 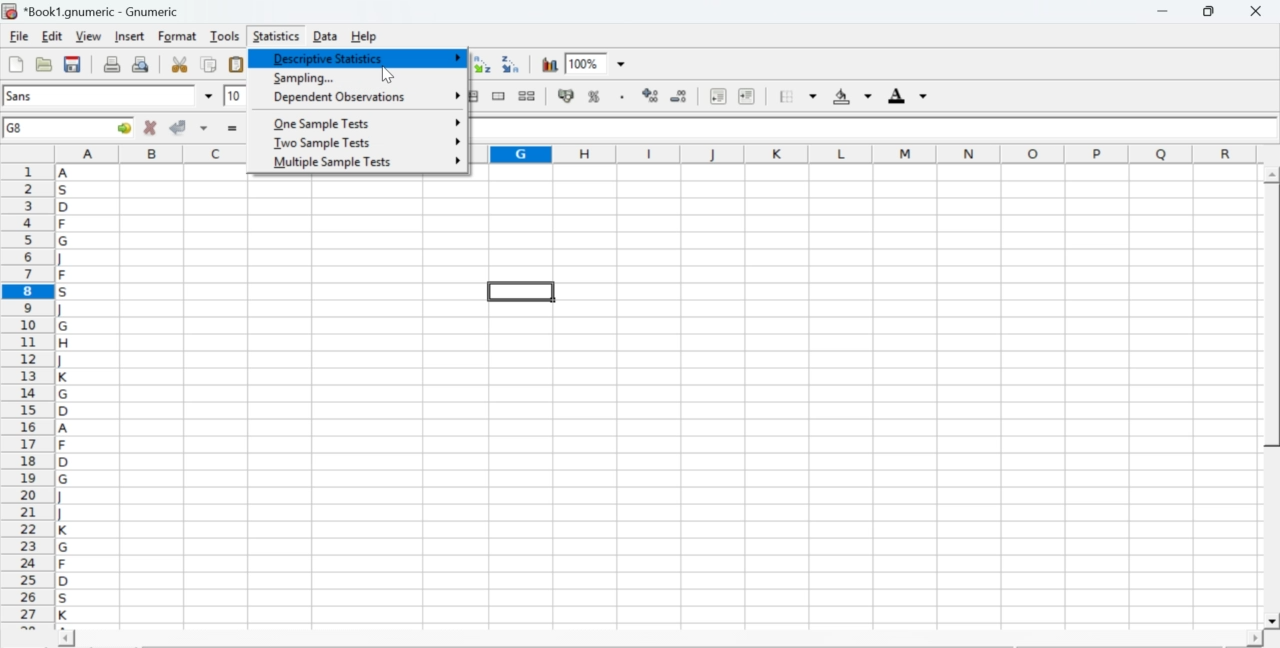 I want to click on descriptive statistics, so click(x=326, y=57).